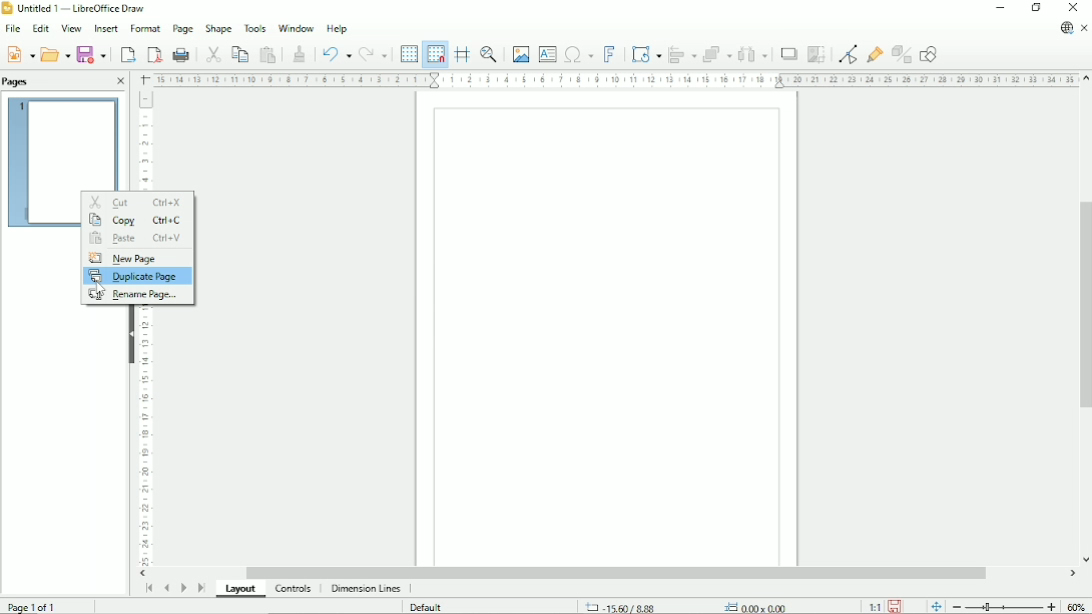 This screenshot has height=614, width=1092. What do you see at coordinates (18, 81) in the screenshot?
I see `Pages` at bounding box center [18, 81].